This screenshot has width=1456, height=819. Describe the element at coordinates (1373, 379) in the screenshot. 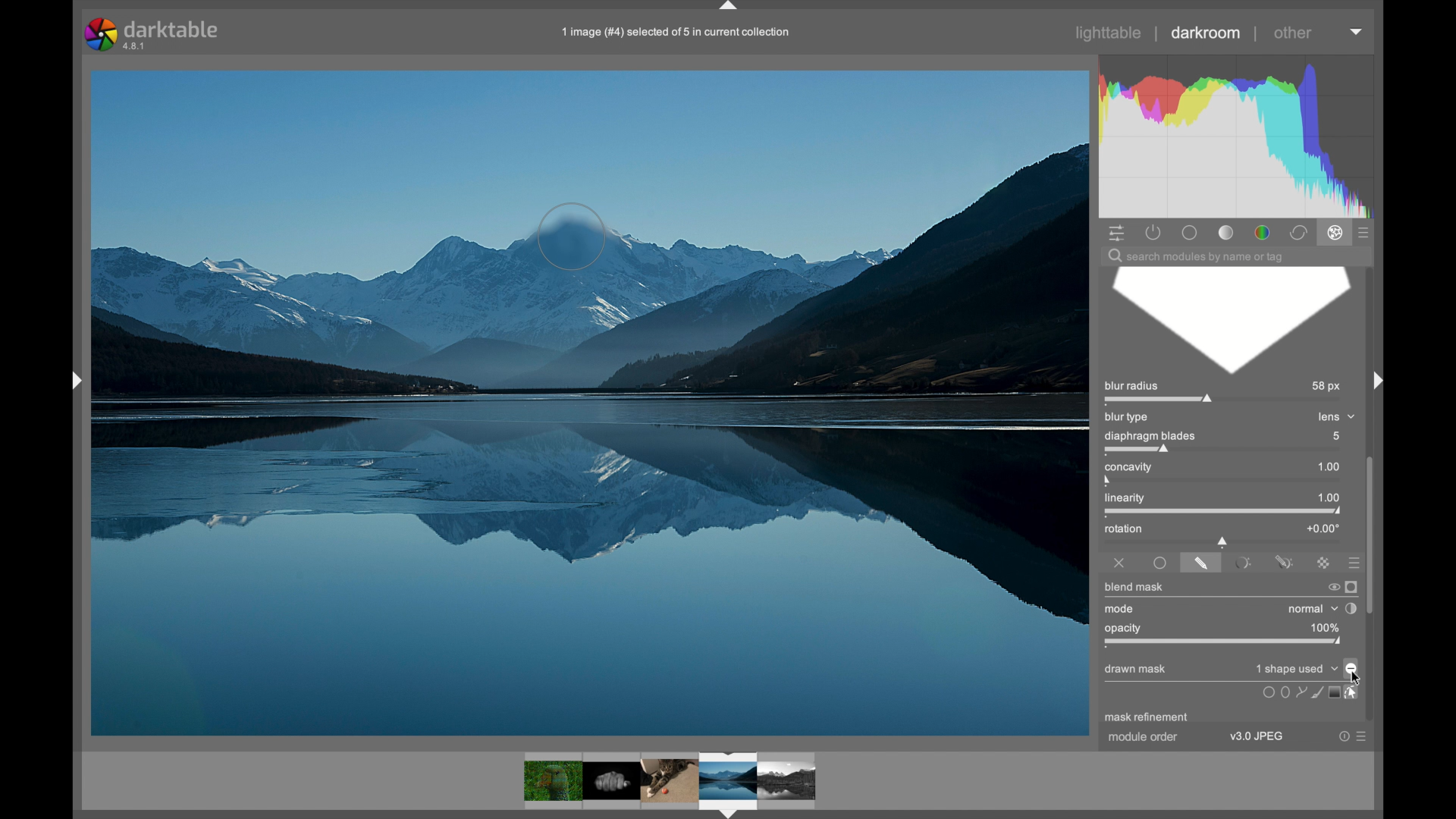

I see `drag handle` at that location.